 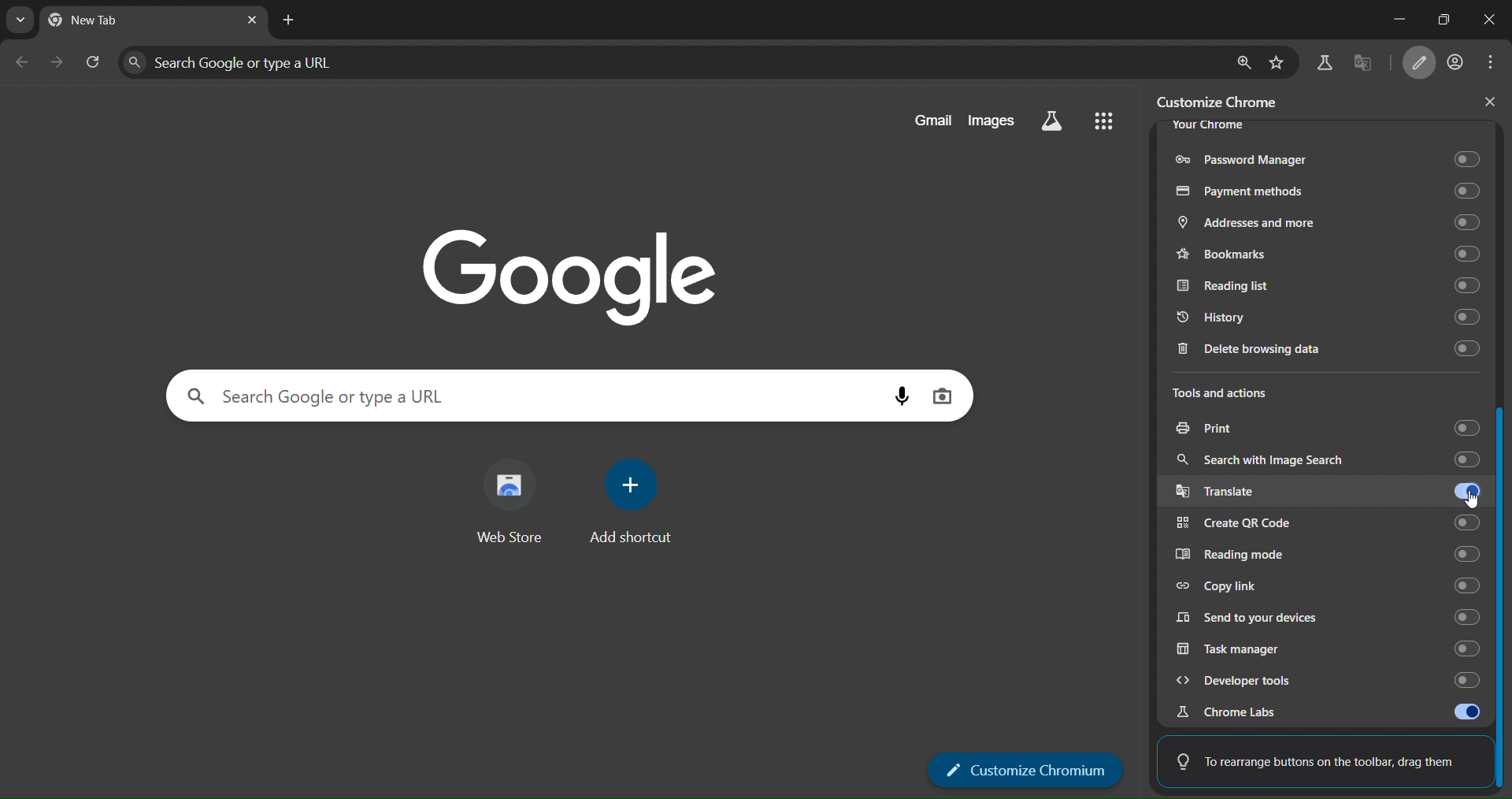 I want to click on chrome labs, so click(x=1326, y=711).